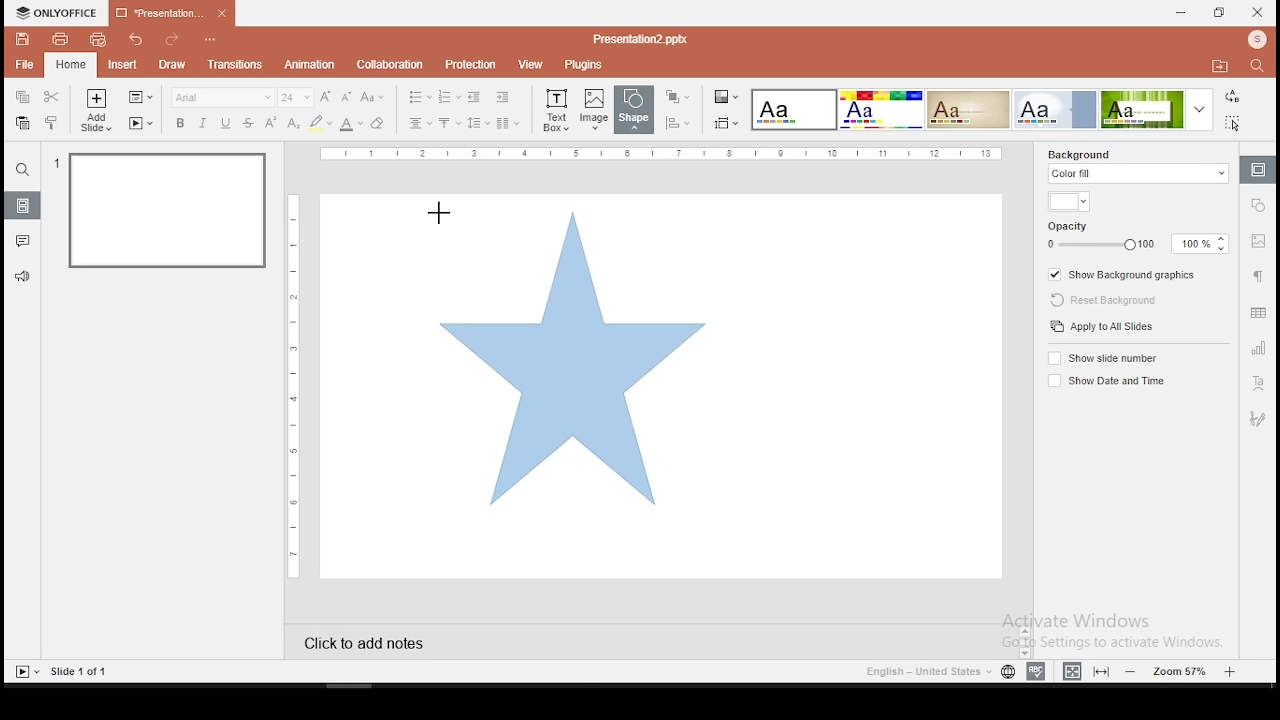 Image resolution: width=1280 pixels, height=720 pixels. I want to click on align shapes, so click(677, 123).